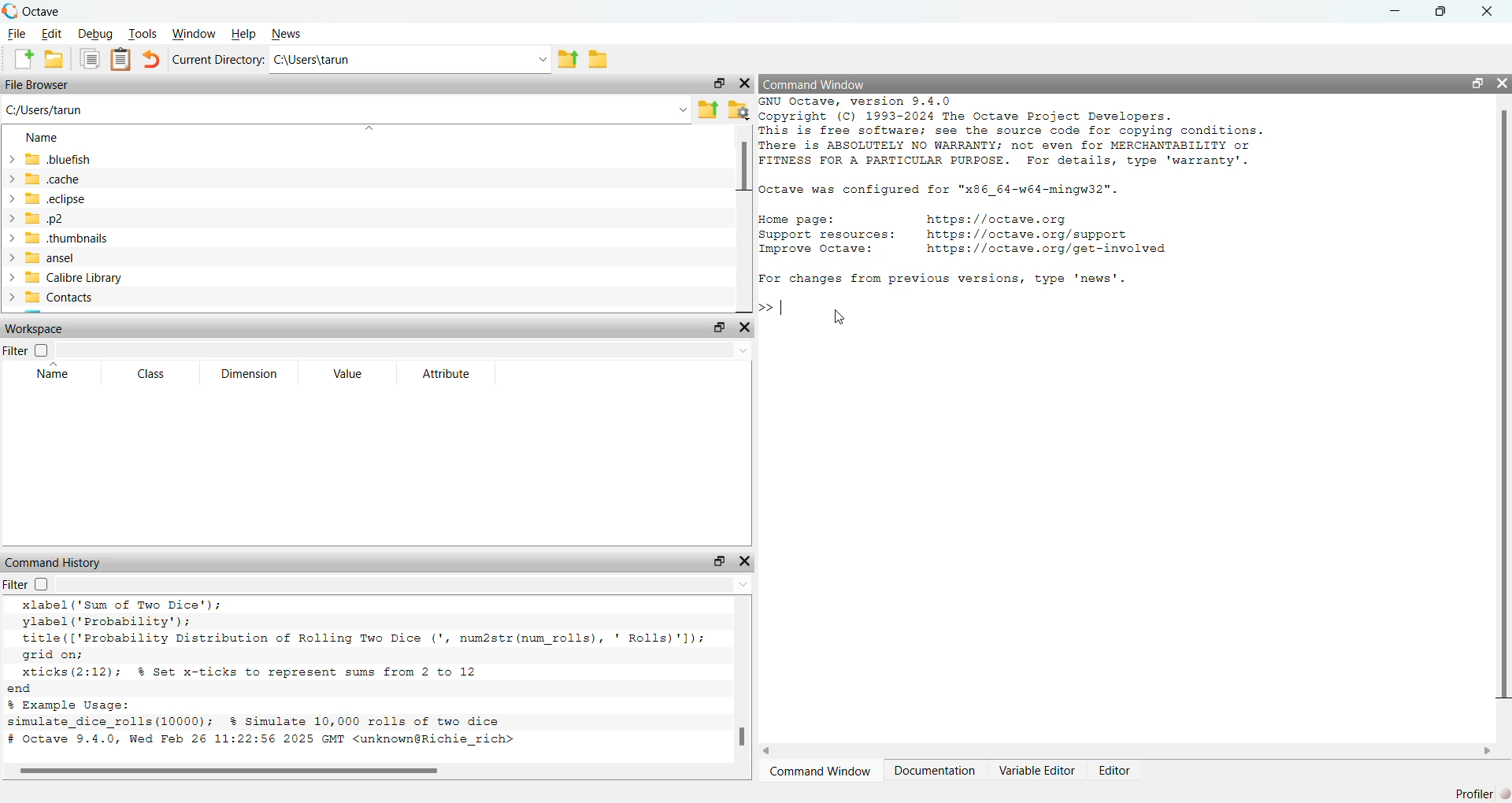  What do you see at coordinates (1503, 86) in the screenshot?
I see `Close` at bounding box center [1503, 86].